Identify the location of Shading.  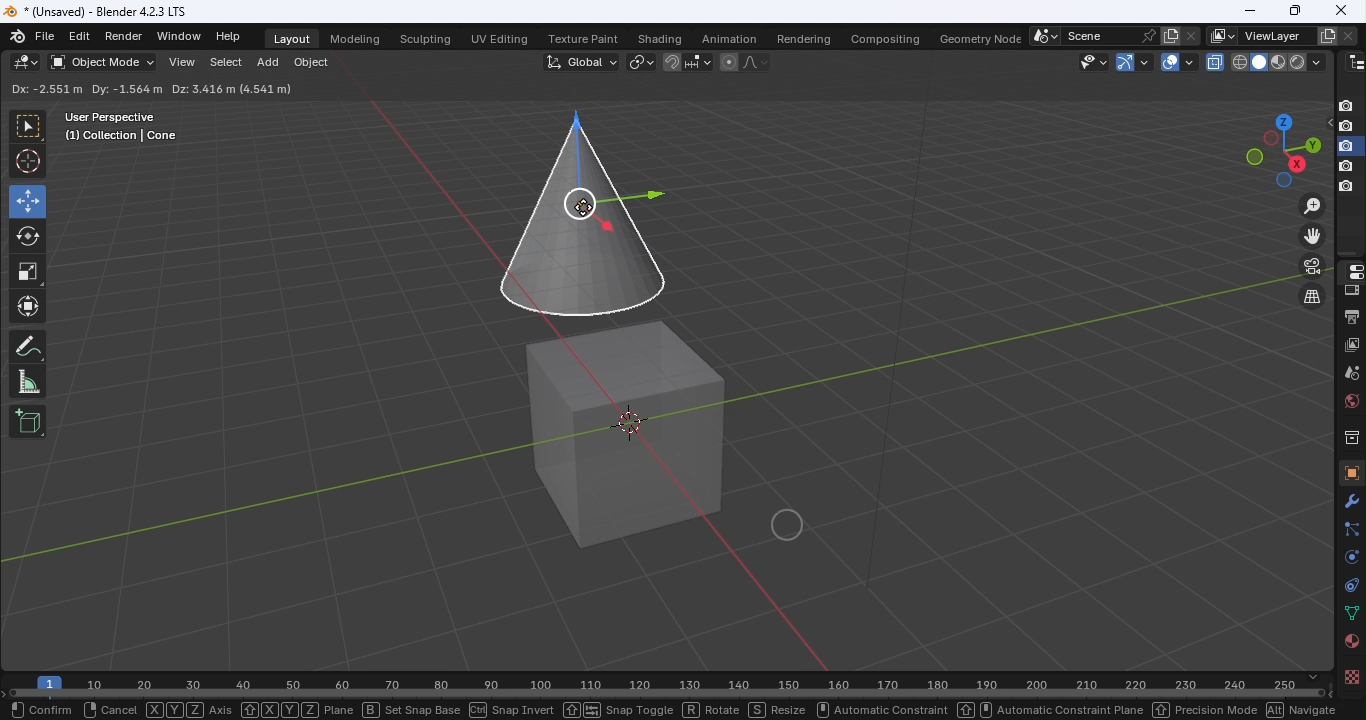
(659, 38).